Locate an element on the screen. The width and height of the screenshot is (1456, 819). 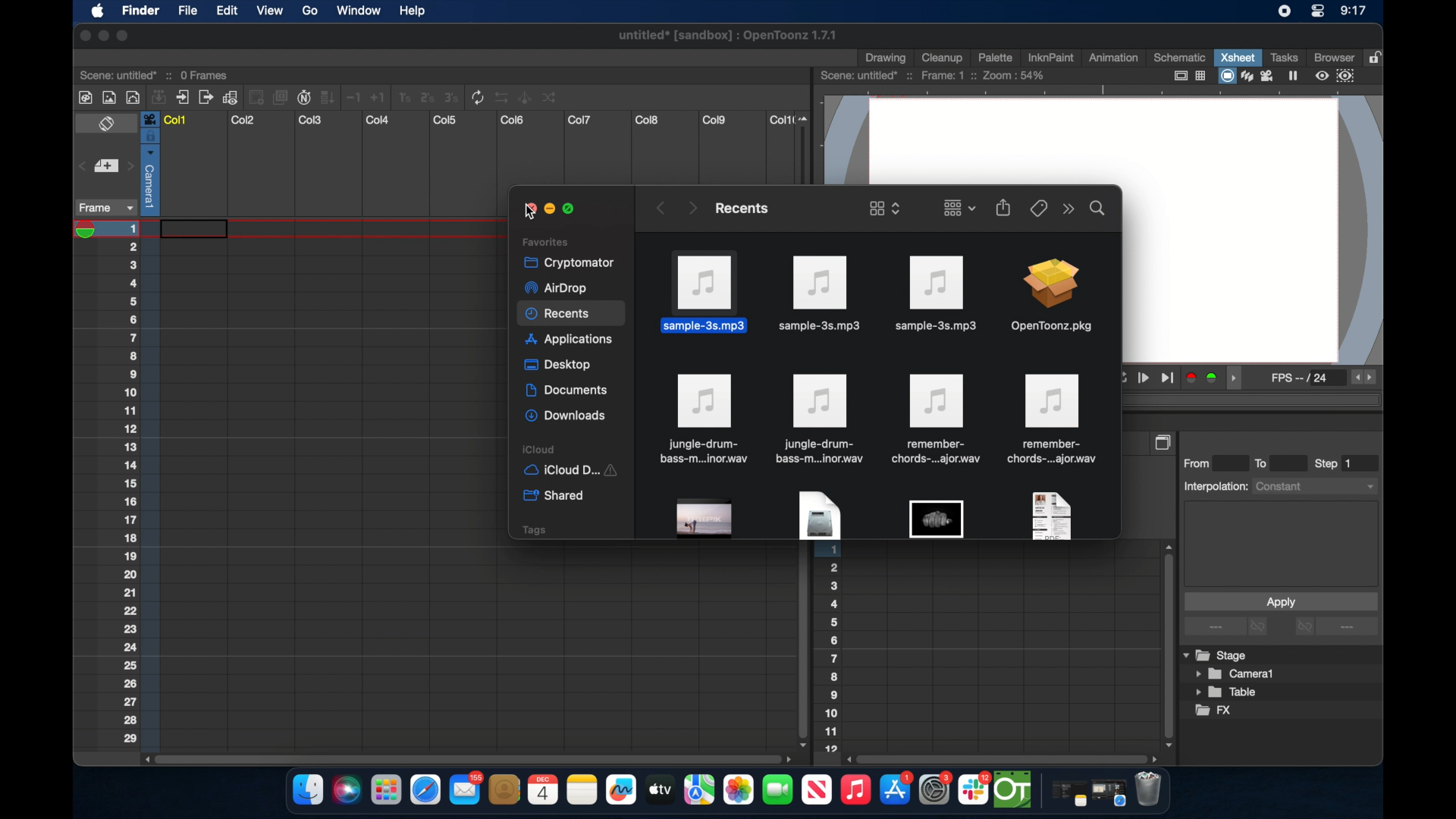
set is located at coordinates (105, 167).